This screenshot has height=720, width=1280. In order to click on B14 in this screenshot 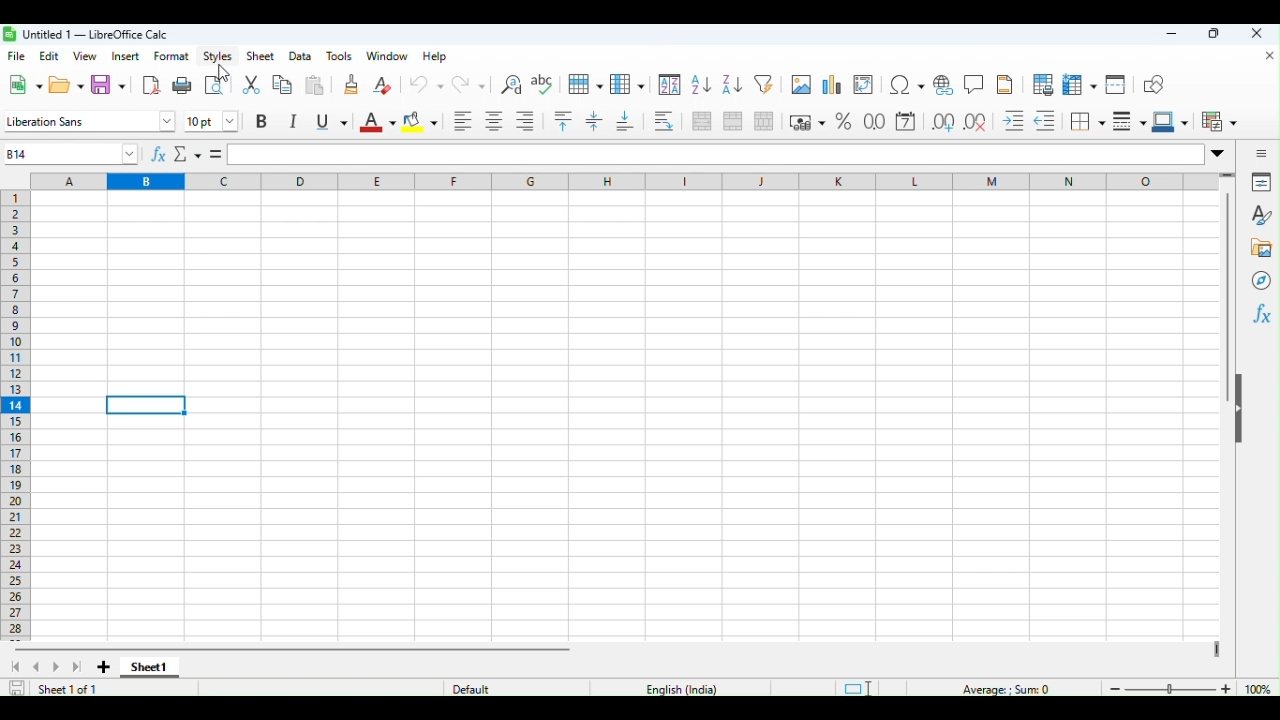, I will do `click(67, 154)`.